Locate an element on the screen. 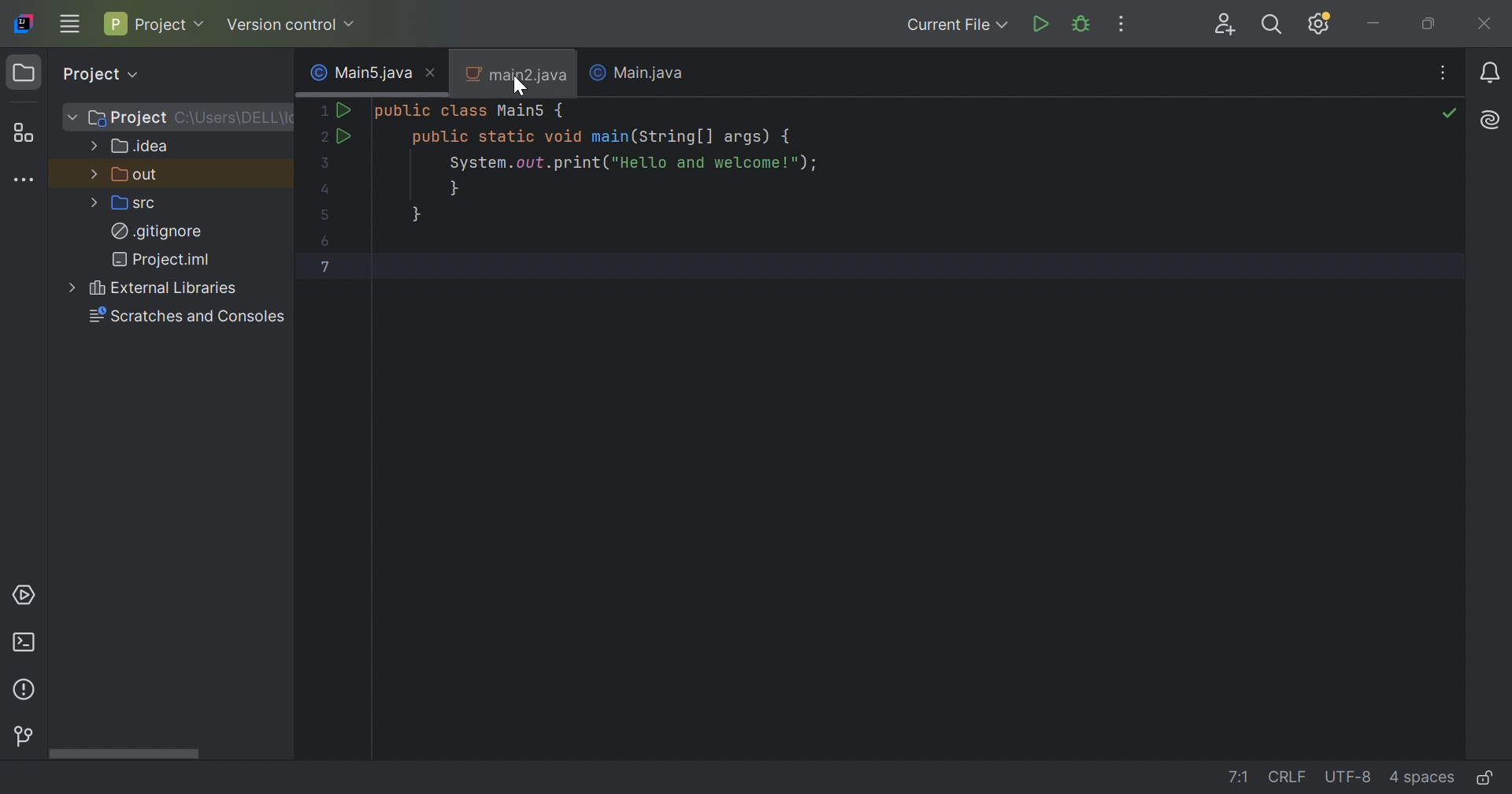 The height and width of the screenshot is (794, 1512). Project icon is located at coordinates (22, 71).